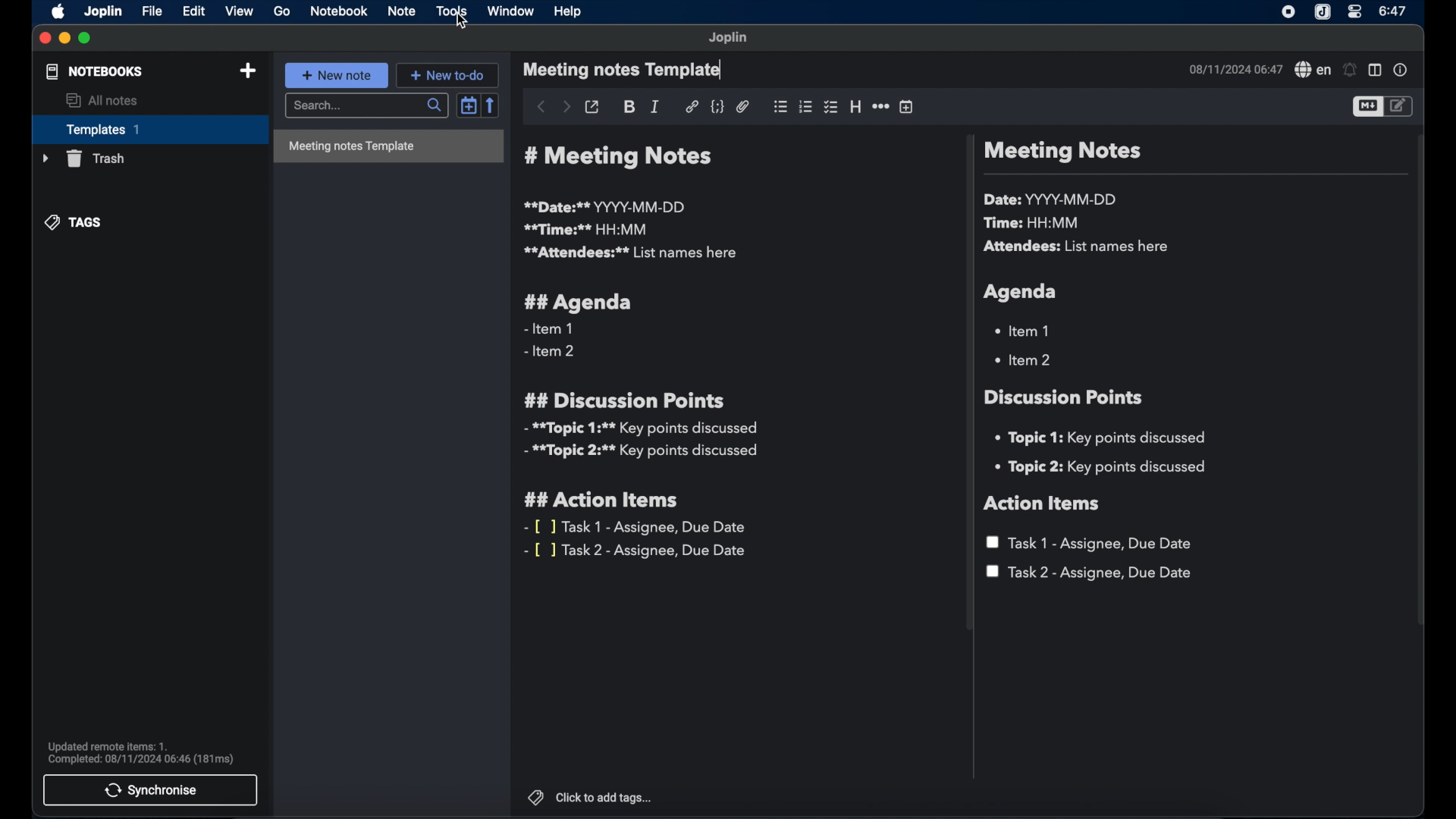 The height and width of the screenshot is (819, 1456). What do you see at coordinates (655, 106) in the screenshot?
I see `italic` at bounding box center [655, 106].